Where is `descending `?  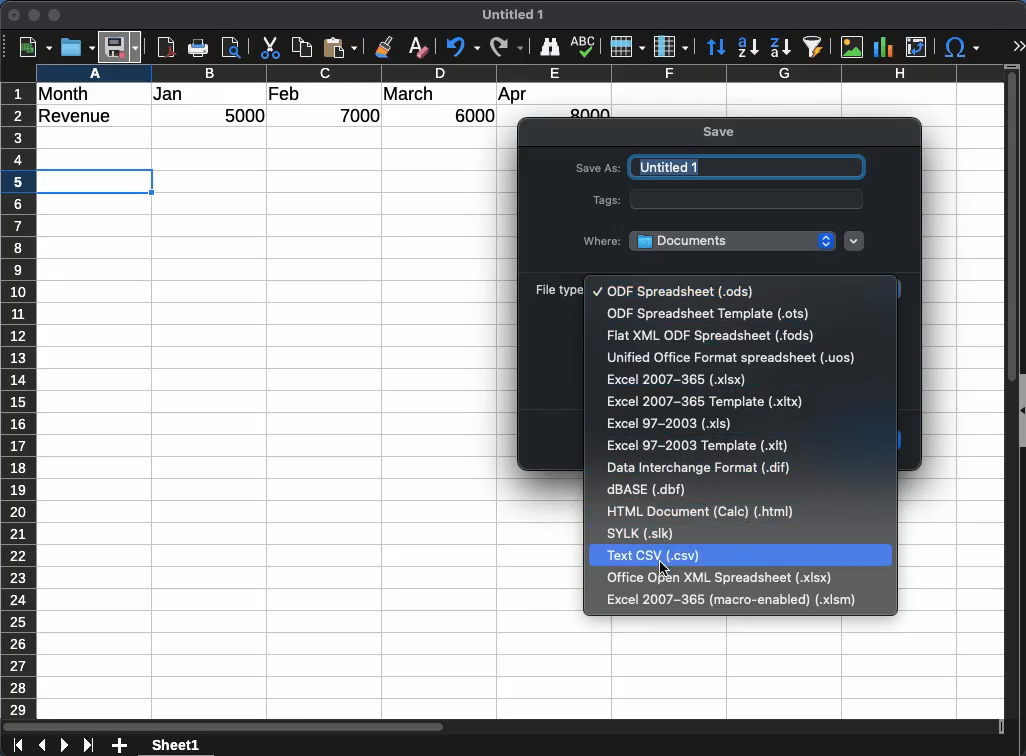
descending  is located at coordinates (779, 46).